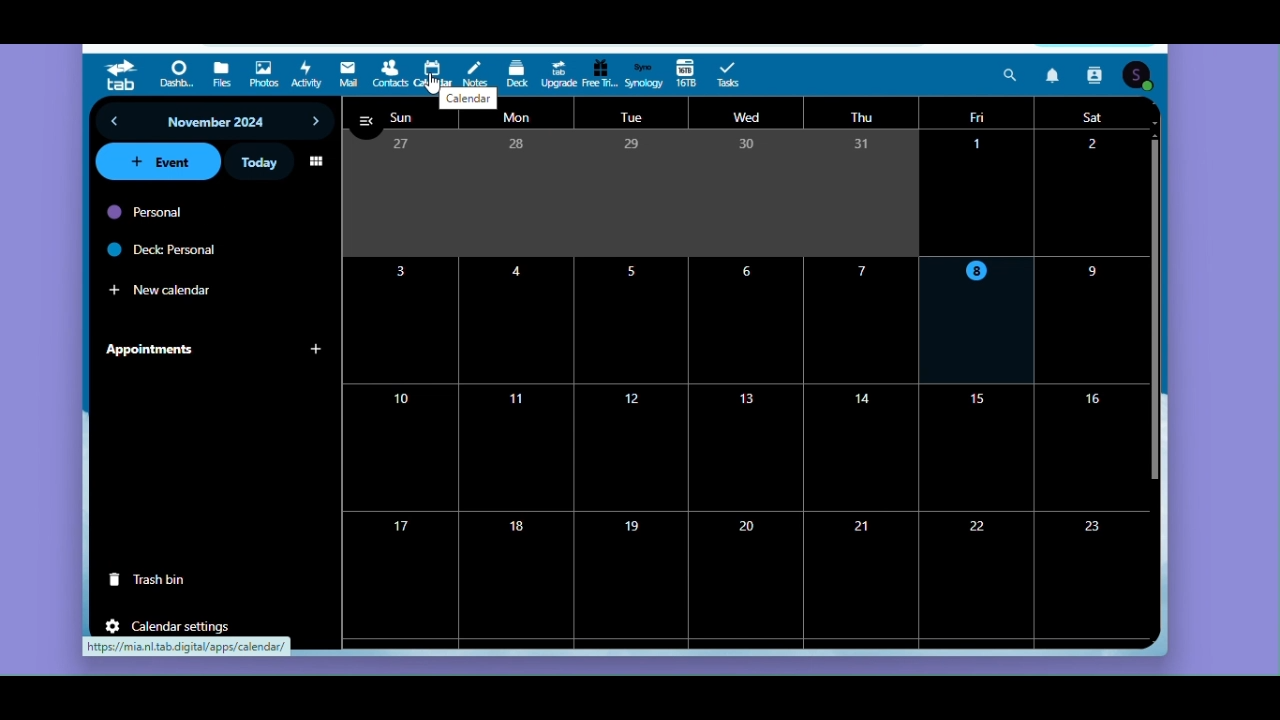 This screenshot has width=1280, height=720. I want to click on Today, so click(259, 163).